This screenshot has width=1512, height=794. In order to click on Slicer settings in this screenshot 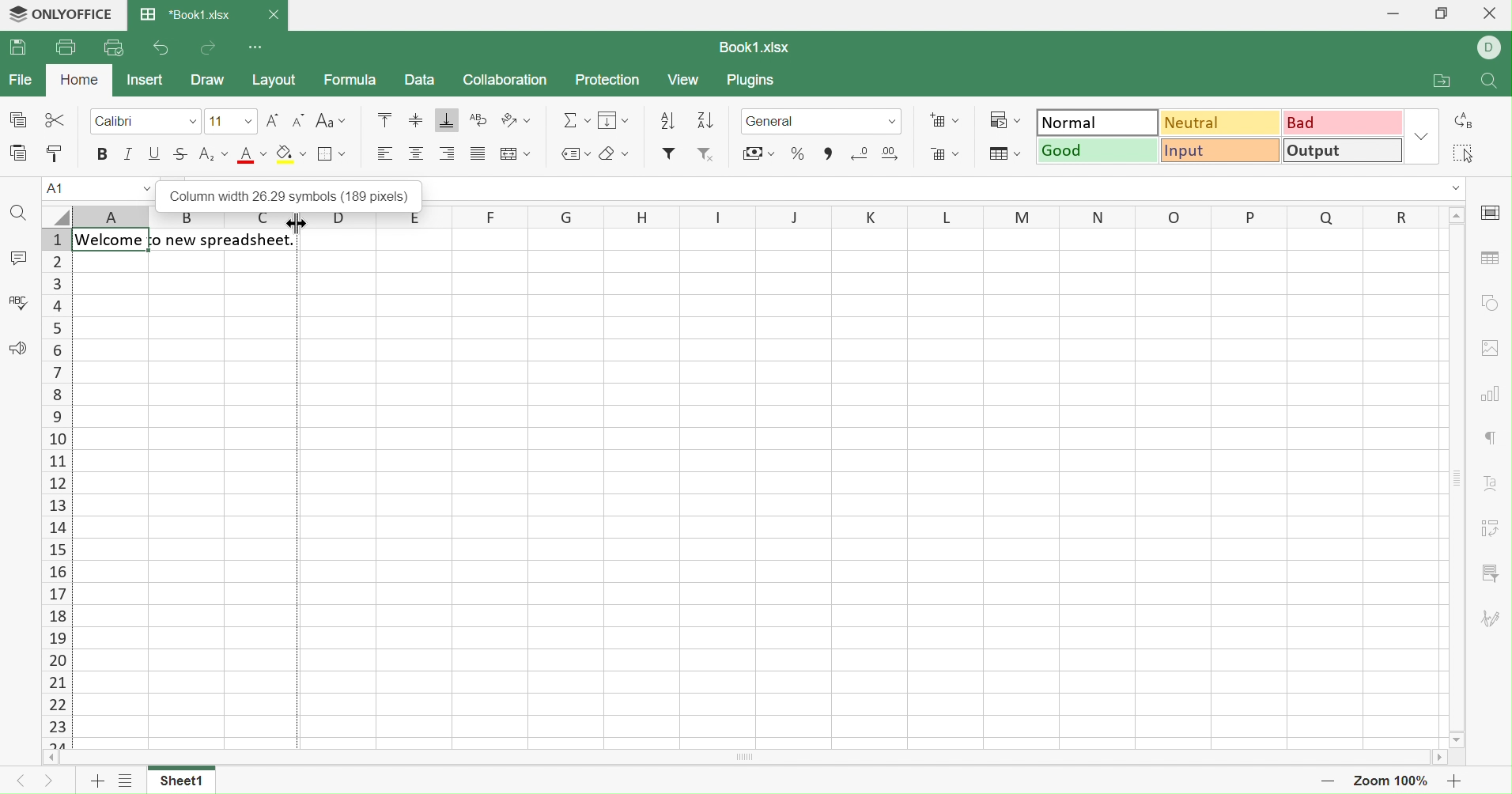, I will do `click(1489, 573)`.